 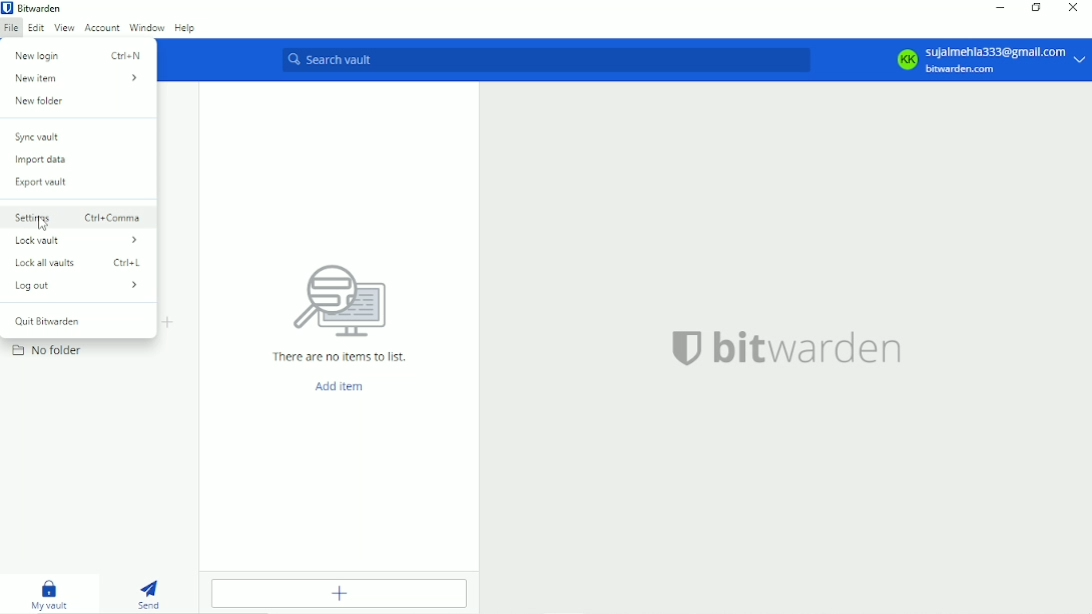 I want to click on Close, so click(x=1074, y=9).